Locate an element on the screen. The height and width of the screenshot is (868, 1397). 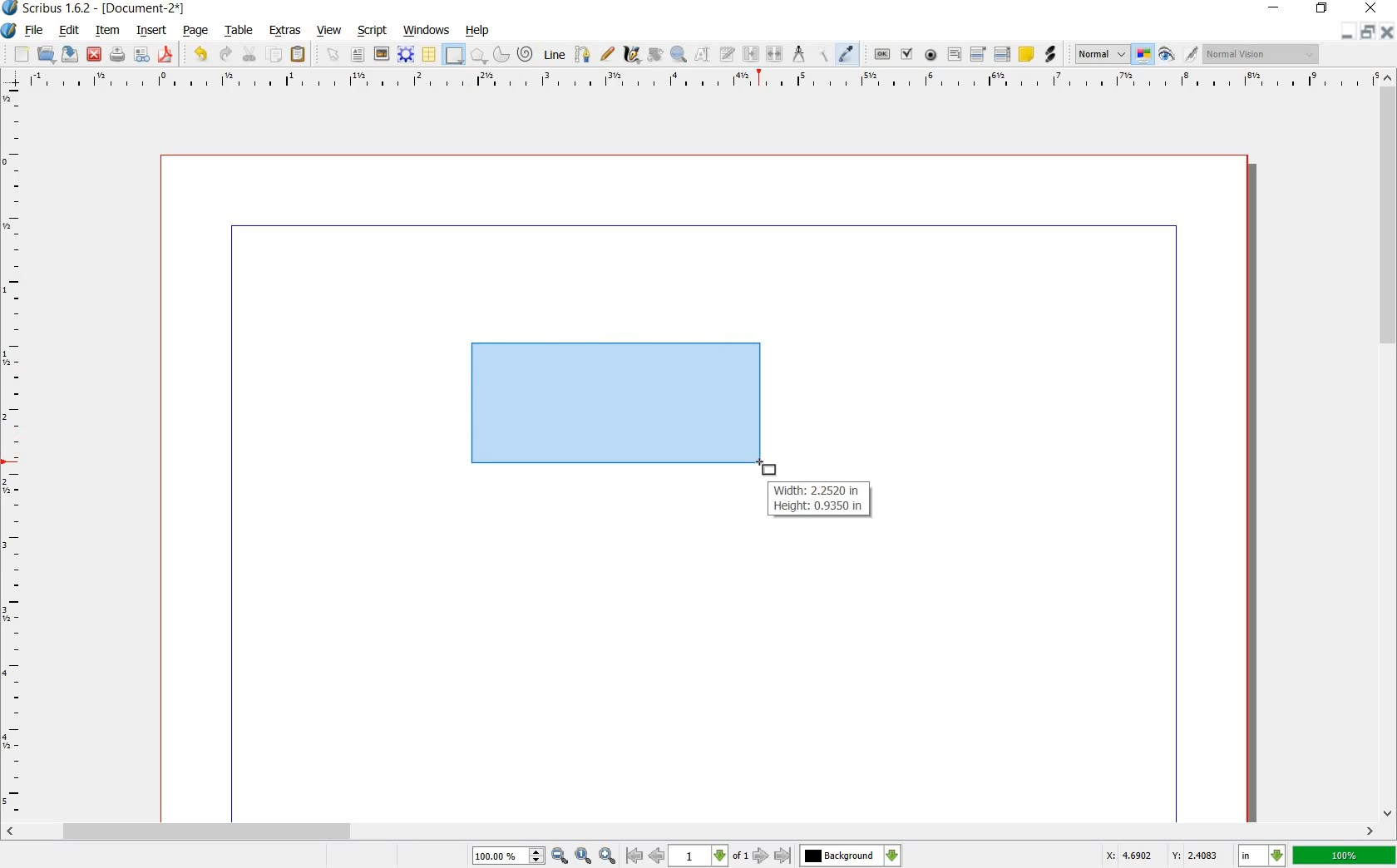
SCROLLBAR is located at coordinates (690, 831).